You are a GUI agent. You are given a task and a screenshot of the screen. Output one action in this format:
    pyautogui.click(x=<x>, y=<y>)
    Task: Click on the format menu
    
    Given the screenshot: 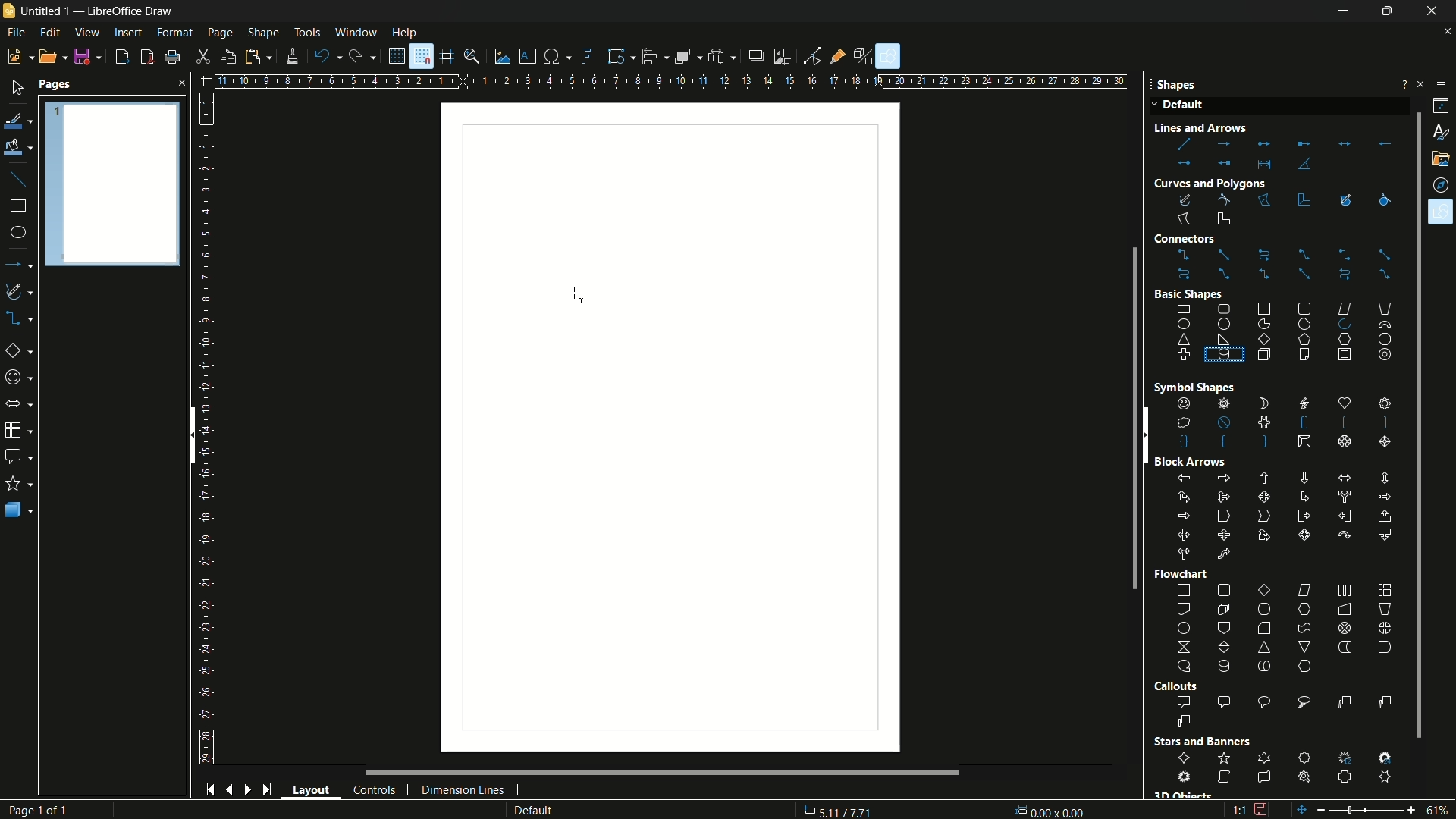 What is the action you would take?
    pyautogui.click(x=174, y=33)
    